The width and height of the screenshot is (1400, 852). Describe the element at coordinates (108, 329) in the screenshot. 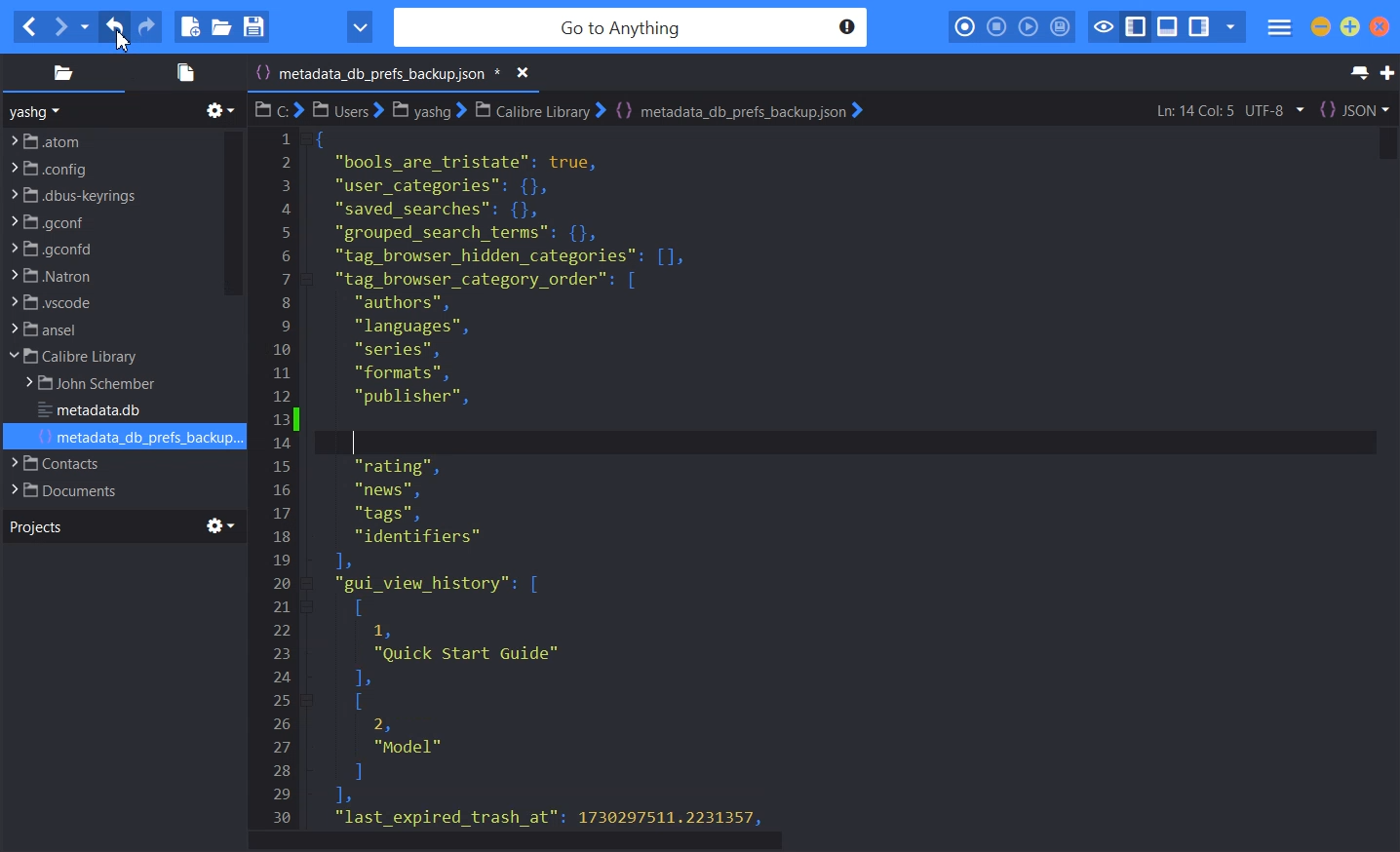

I see `File` at that location.